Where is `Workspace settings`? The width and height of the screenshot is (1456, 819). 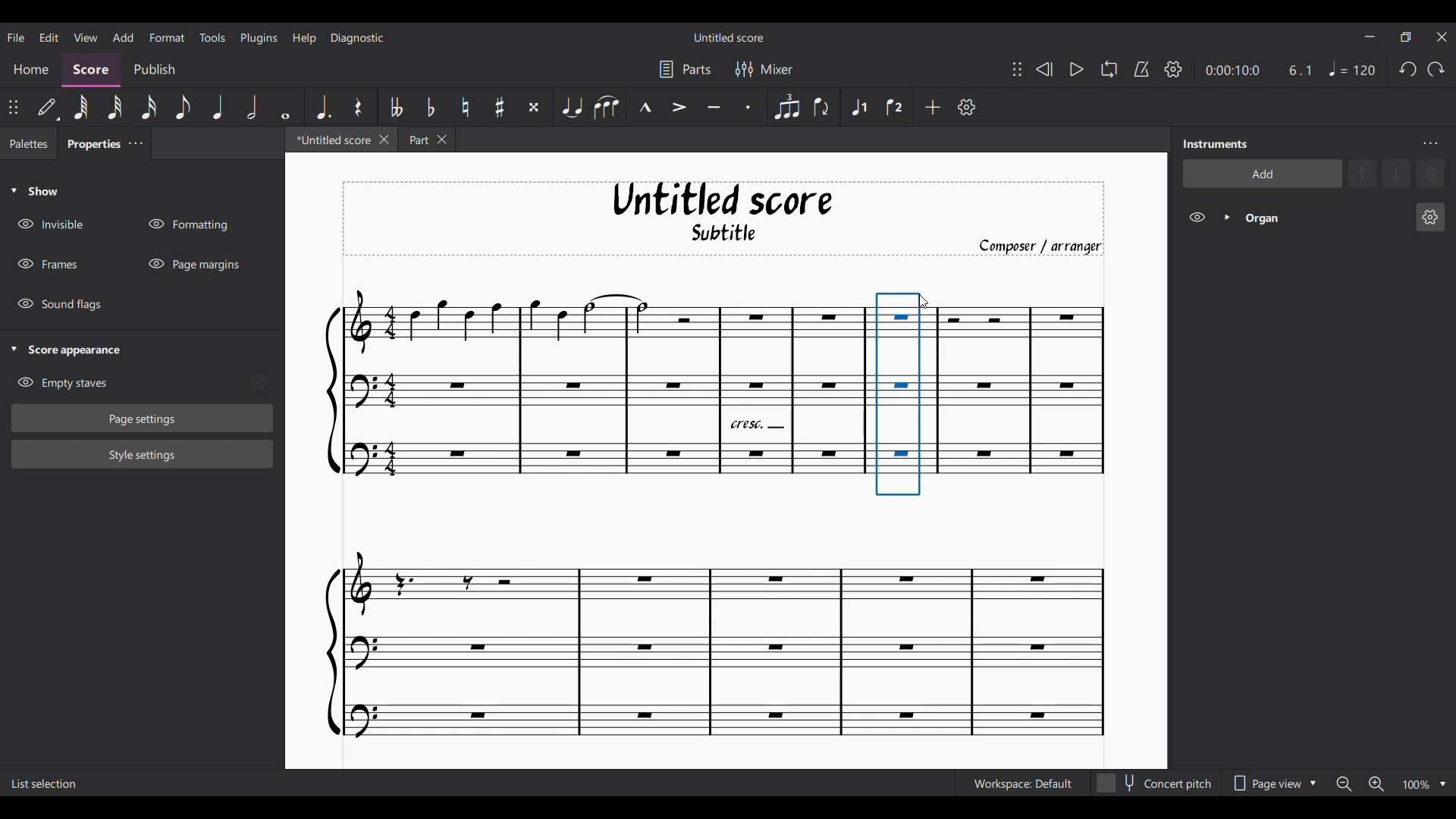
Workspace settings is located at coordinates (1021, 783).